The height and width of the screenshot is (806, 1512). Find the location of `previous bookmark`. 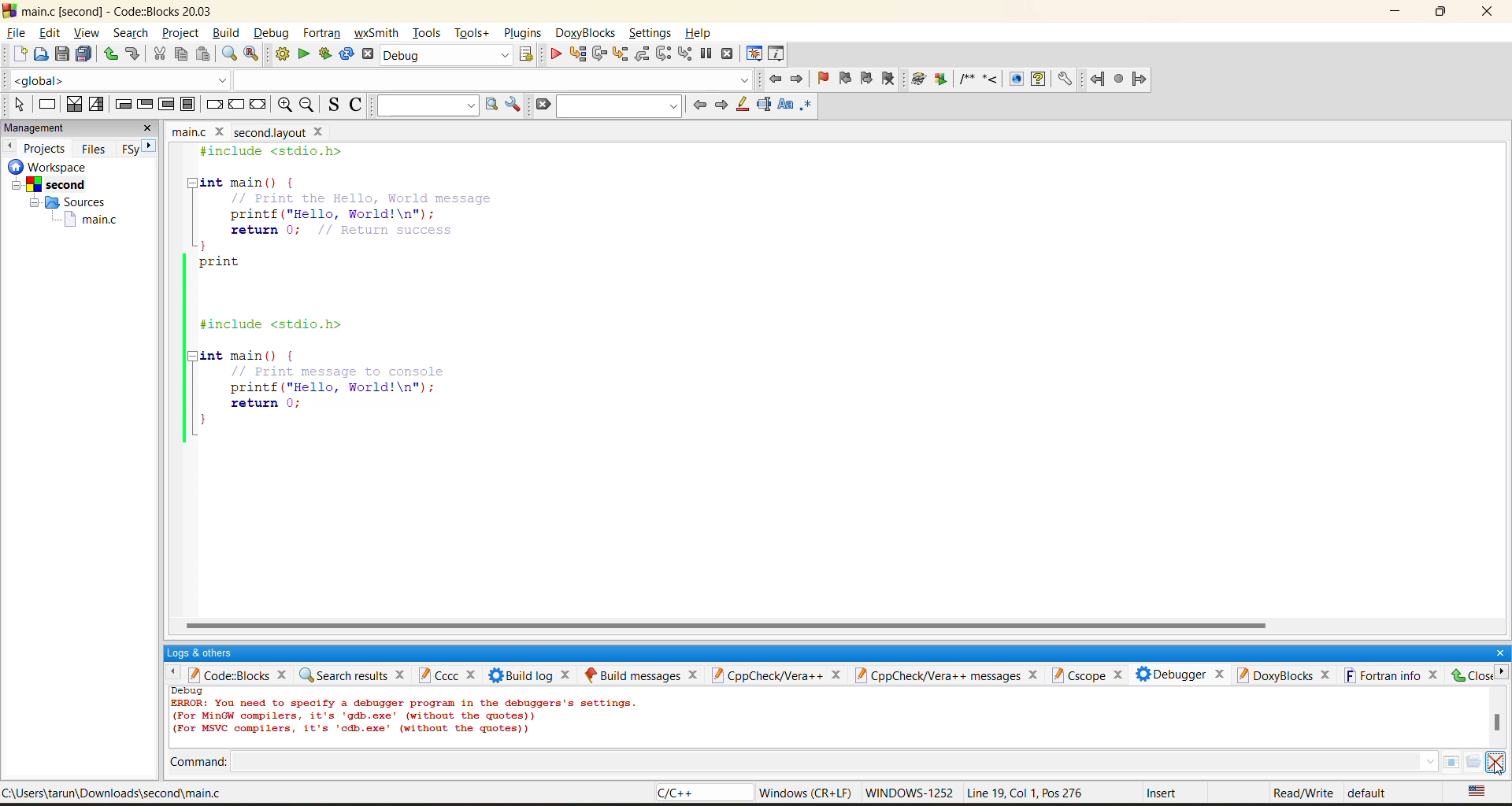

previous bookmark is located at coordinates (847, 77).